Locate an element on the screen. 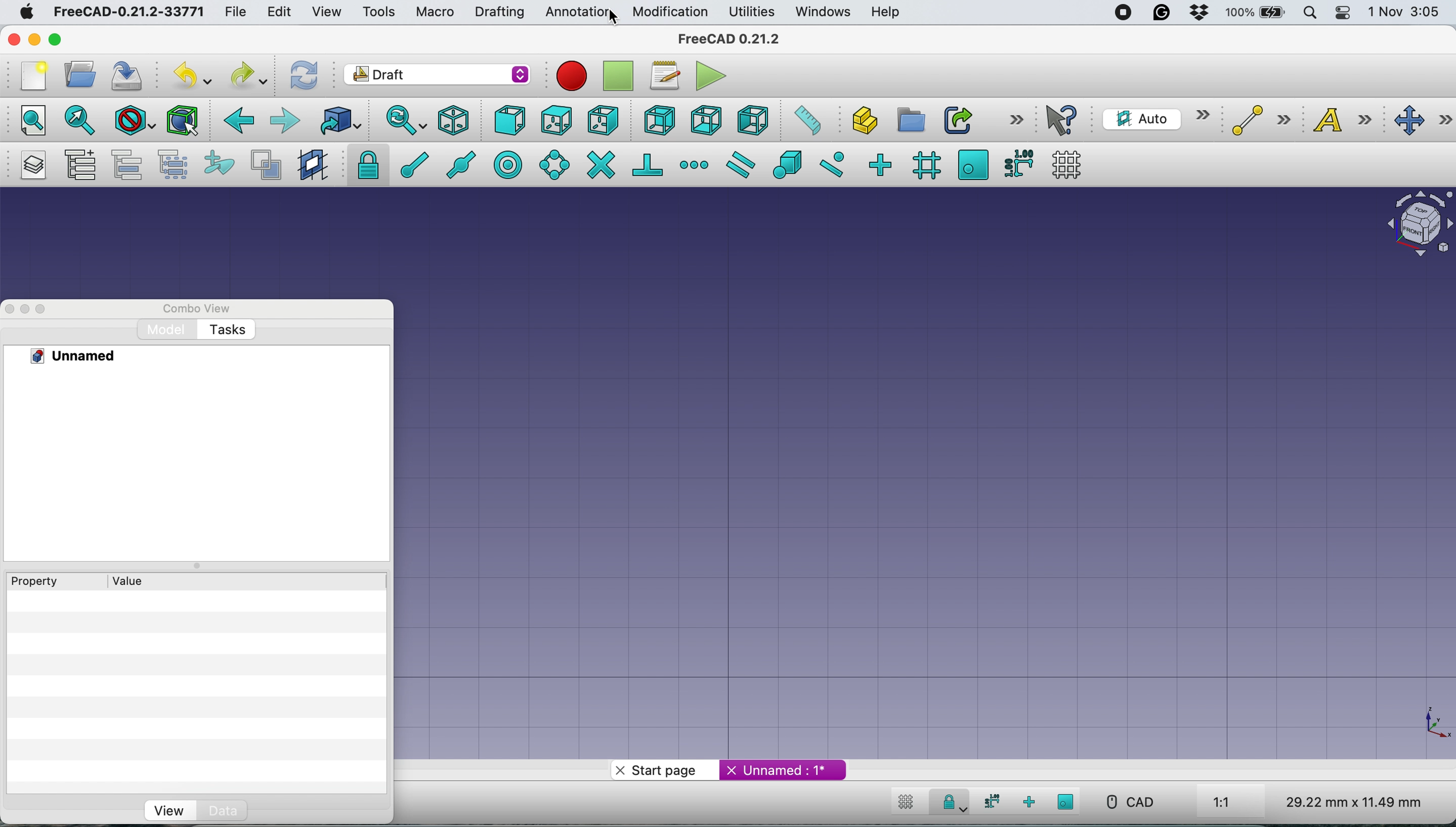 This screenshot has height=827, width=1456. freecad is located at coordinates (126, 13).